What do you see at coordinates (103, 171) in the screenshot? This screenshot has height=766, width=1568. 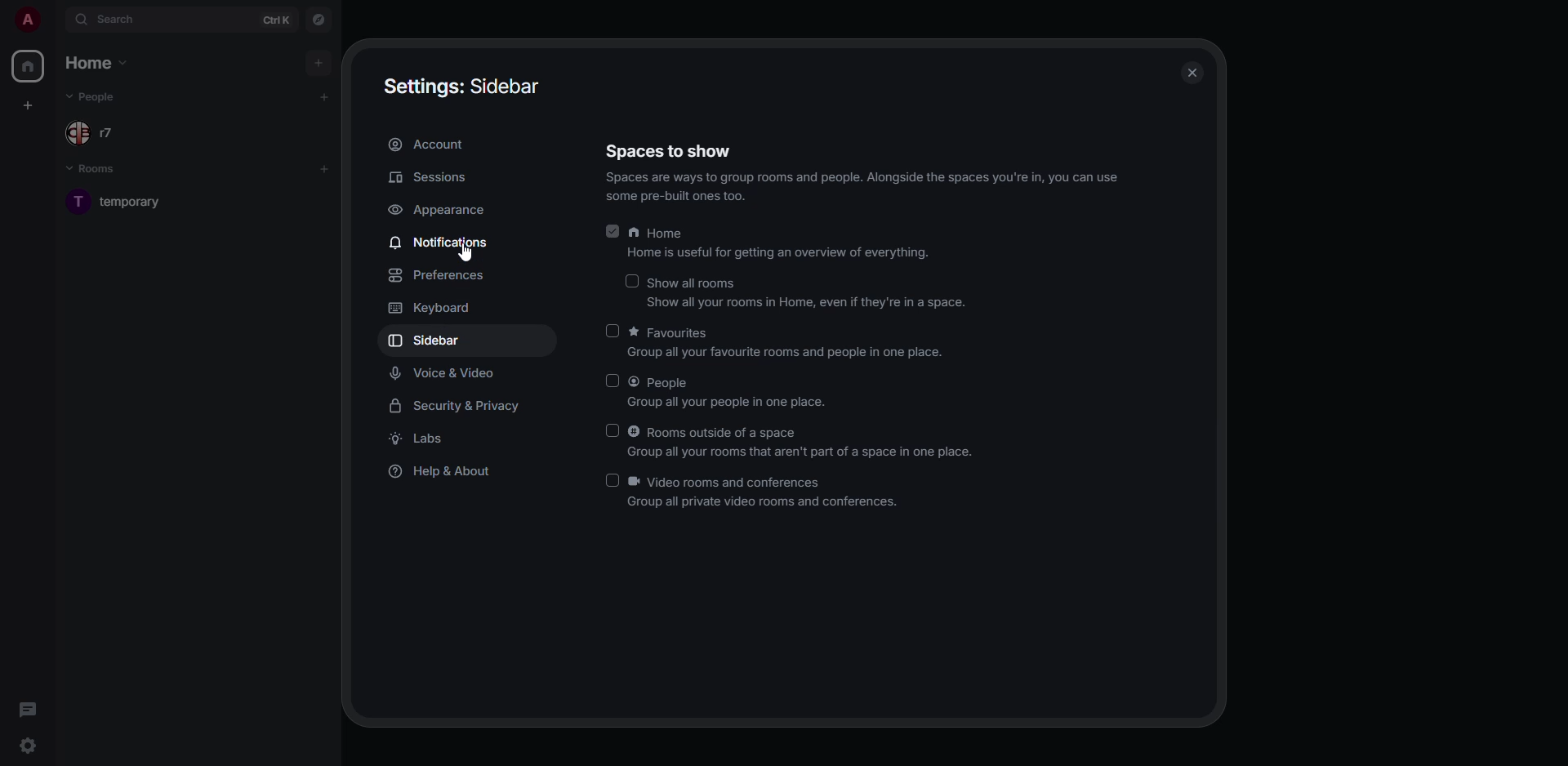 I see `rooms` at bounding box center [103, 171].